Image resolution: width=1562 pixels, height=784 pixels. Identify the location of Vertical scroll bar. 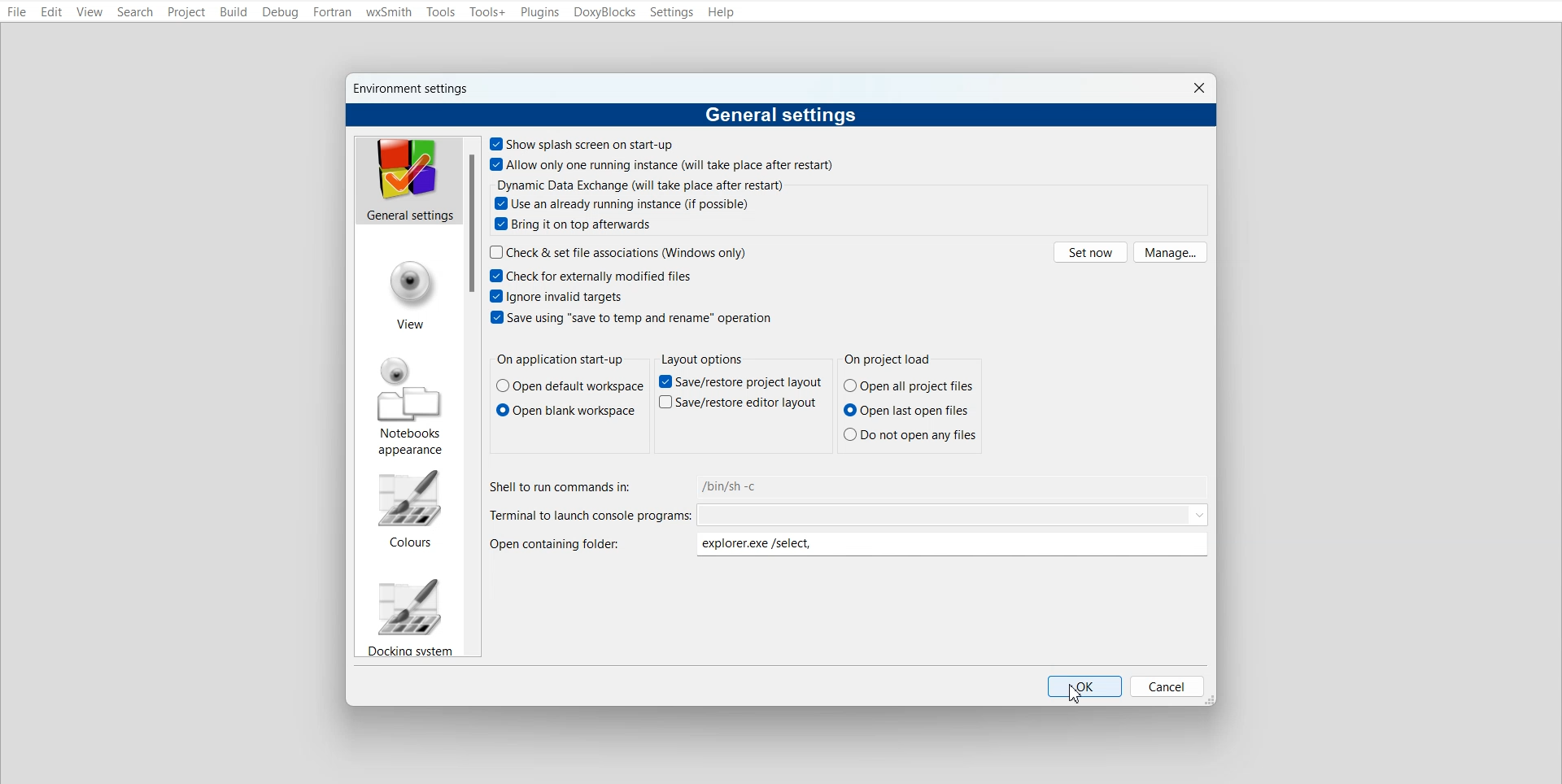
(472, 397).